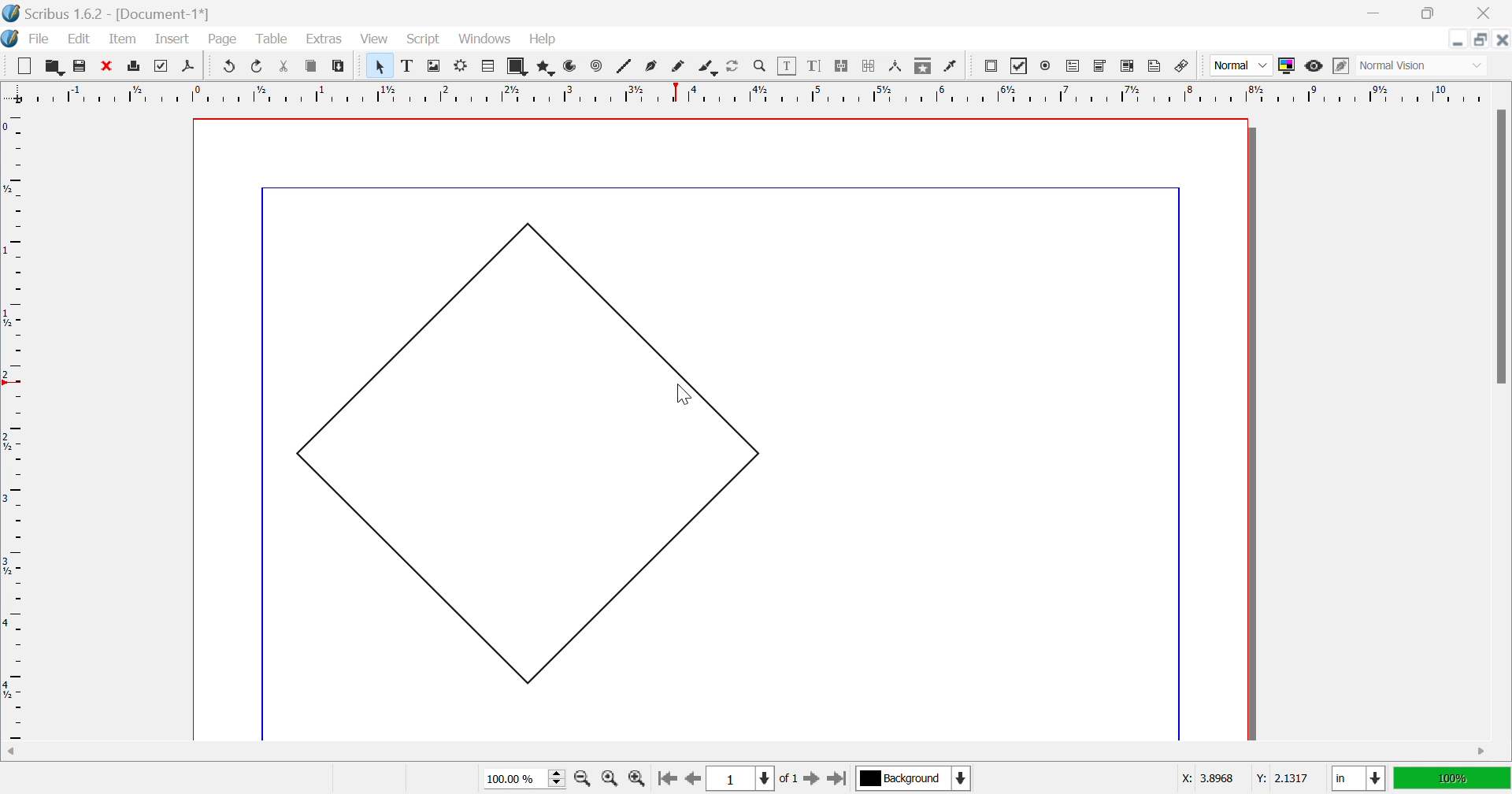  Describe the element at coordinates (76, 64) in the screenshot. I see `Save` at that location.